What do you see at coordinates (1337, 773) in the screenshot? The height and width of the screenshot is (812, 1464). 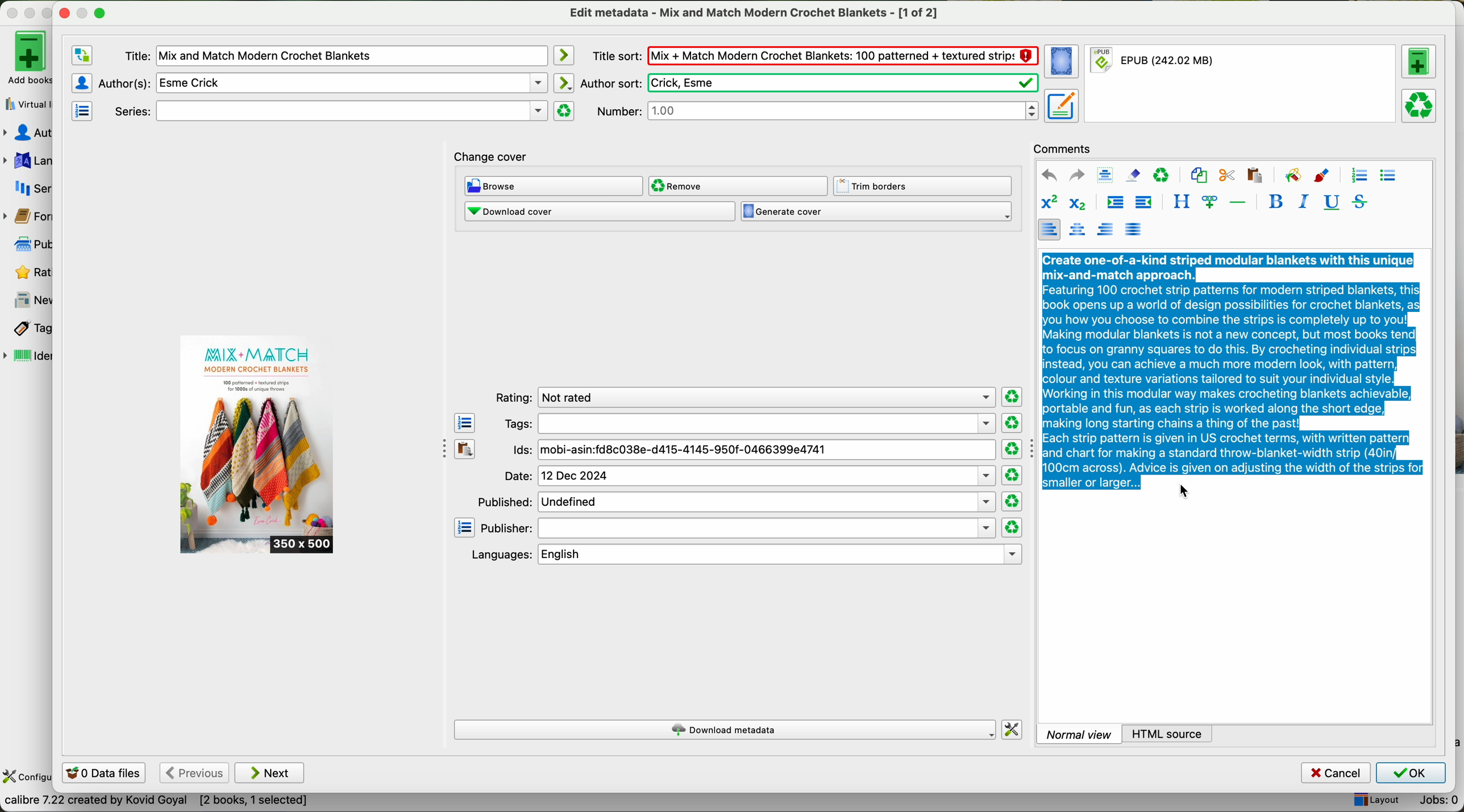 I see `cancel` at bounding box center [1337, 773].